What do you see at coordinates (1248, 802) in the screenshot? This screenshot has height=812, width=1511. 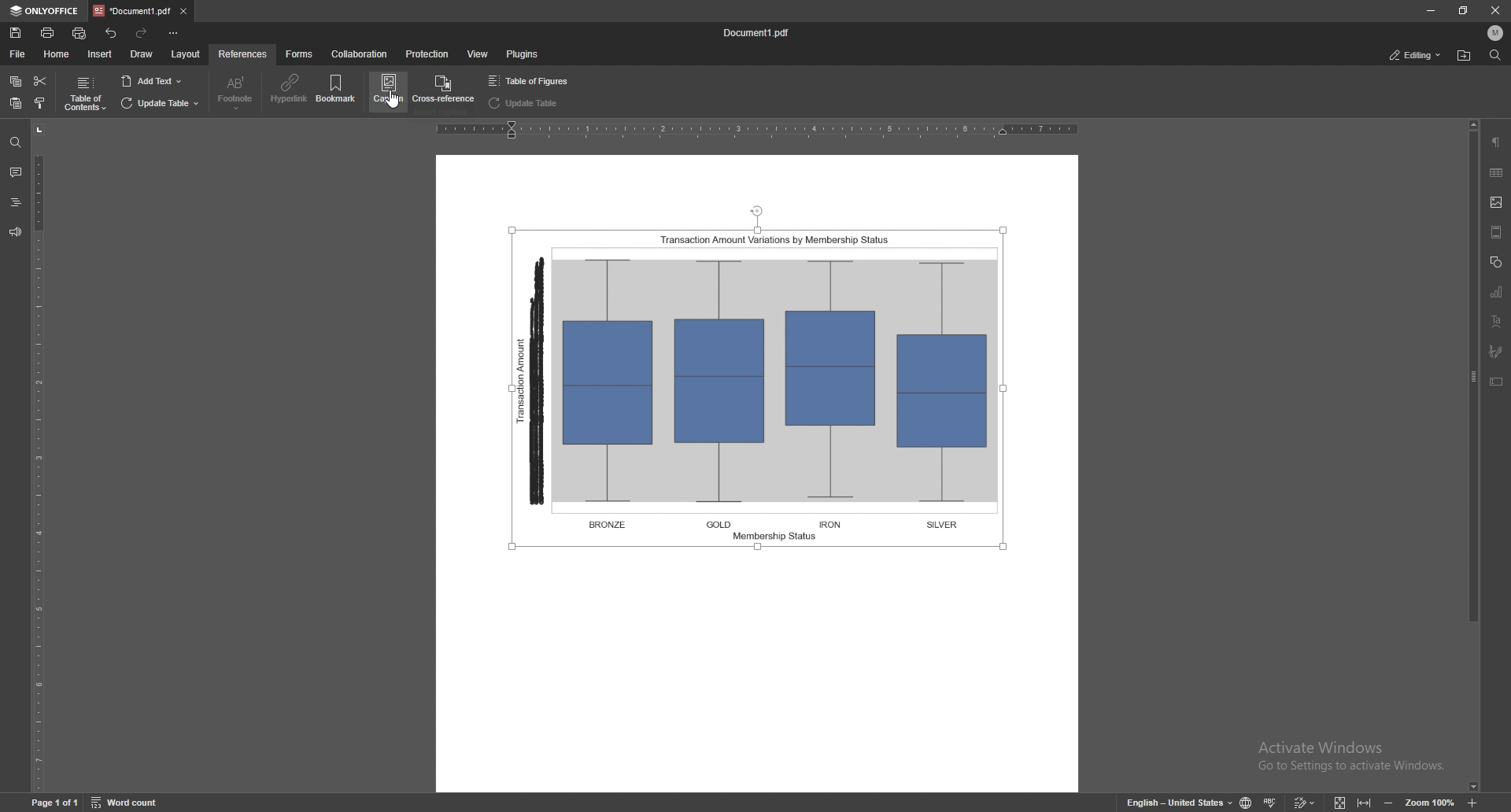 I see `change doc language` at bounding box center [1248, 802].